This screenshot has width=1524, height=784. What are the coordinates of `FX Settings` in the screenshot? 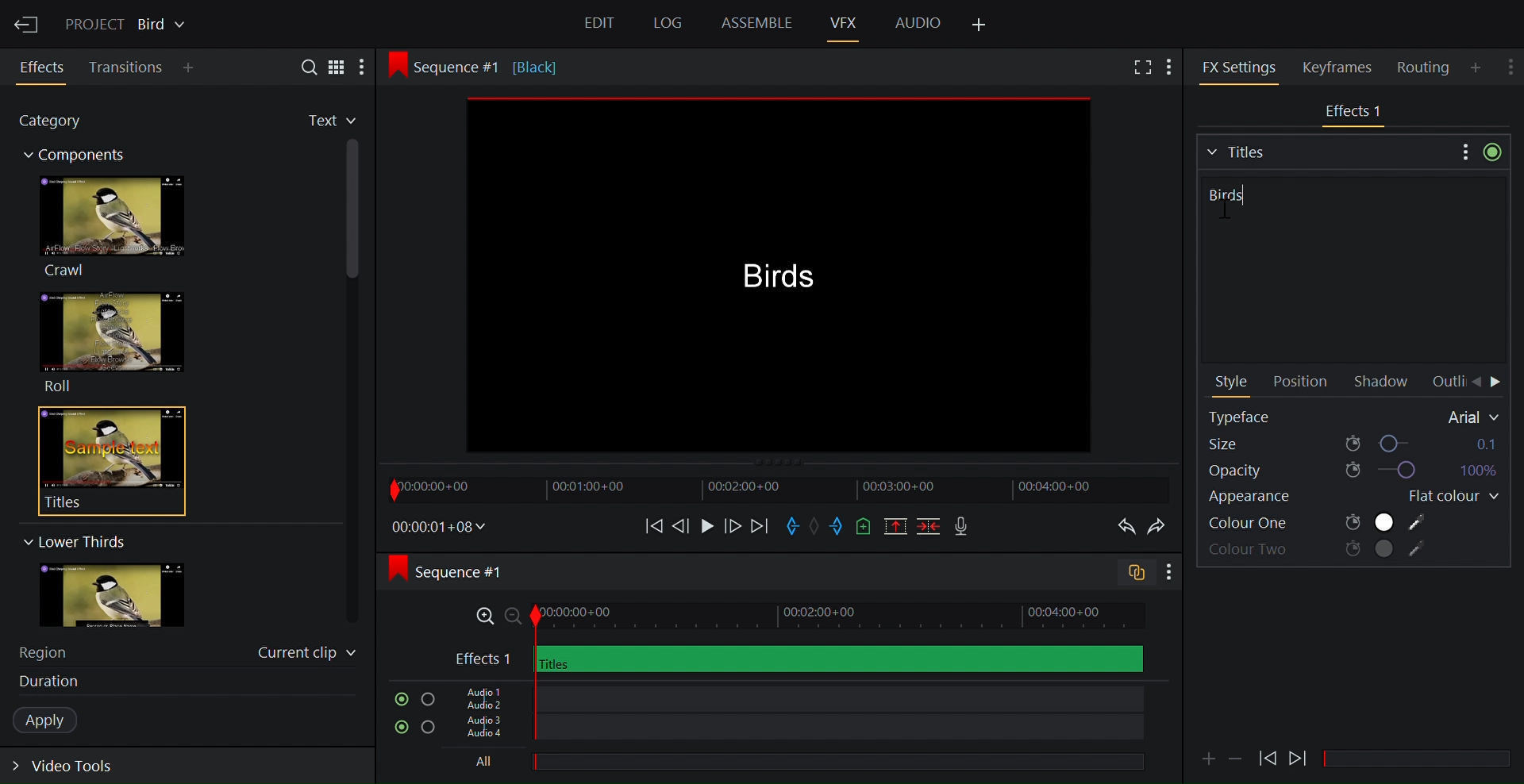 It's located at (1239, 67).